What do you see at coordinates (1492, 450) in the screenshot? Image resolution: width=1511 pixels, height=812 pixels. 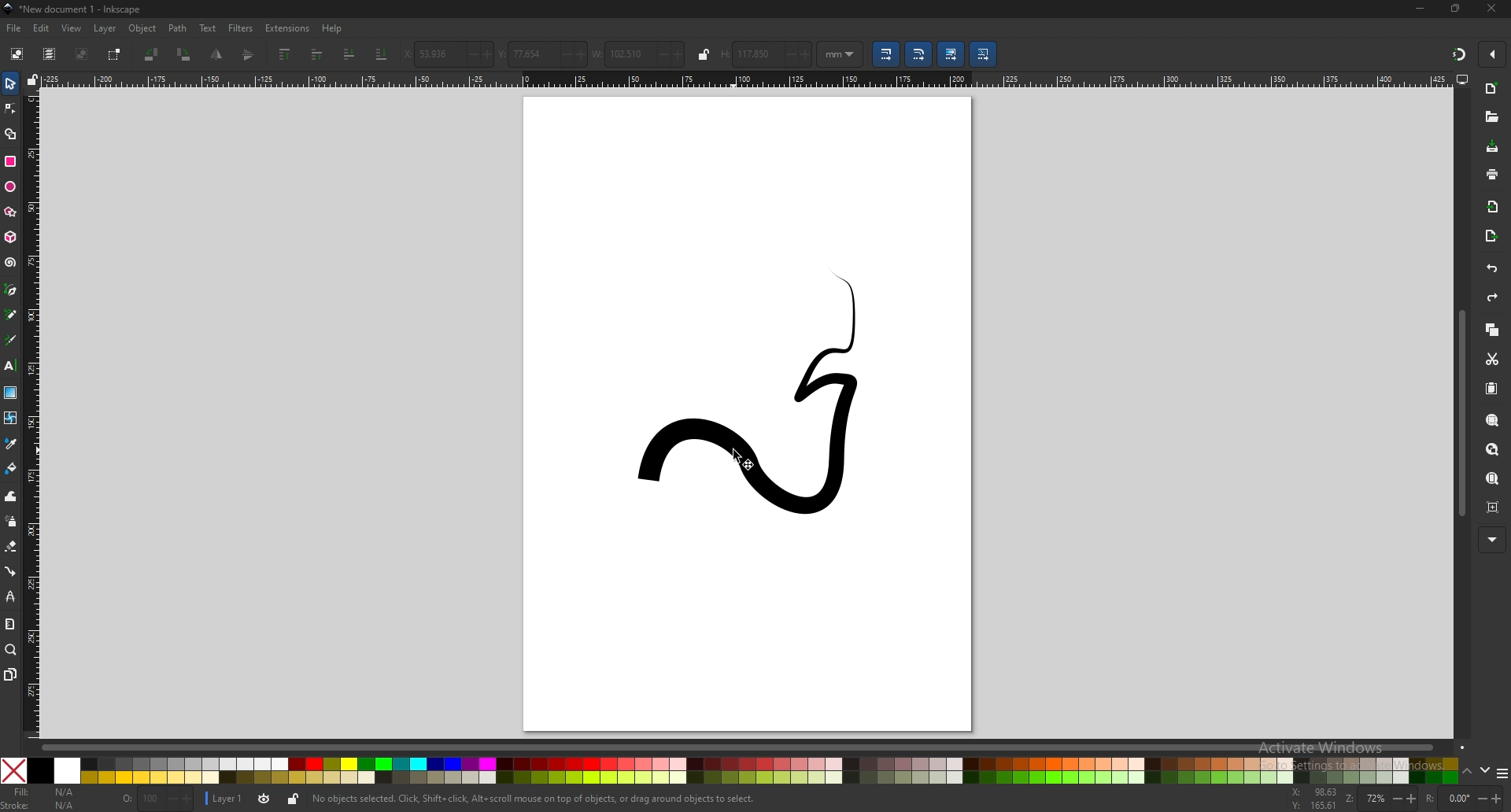 I see `zoom drawing` at bounding box center [1492, 450].